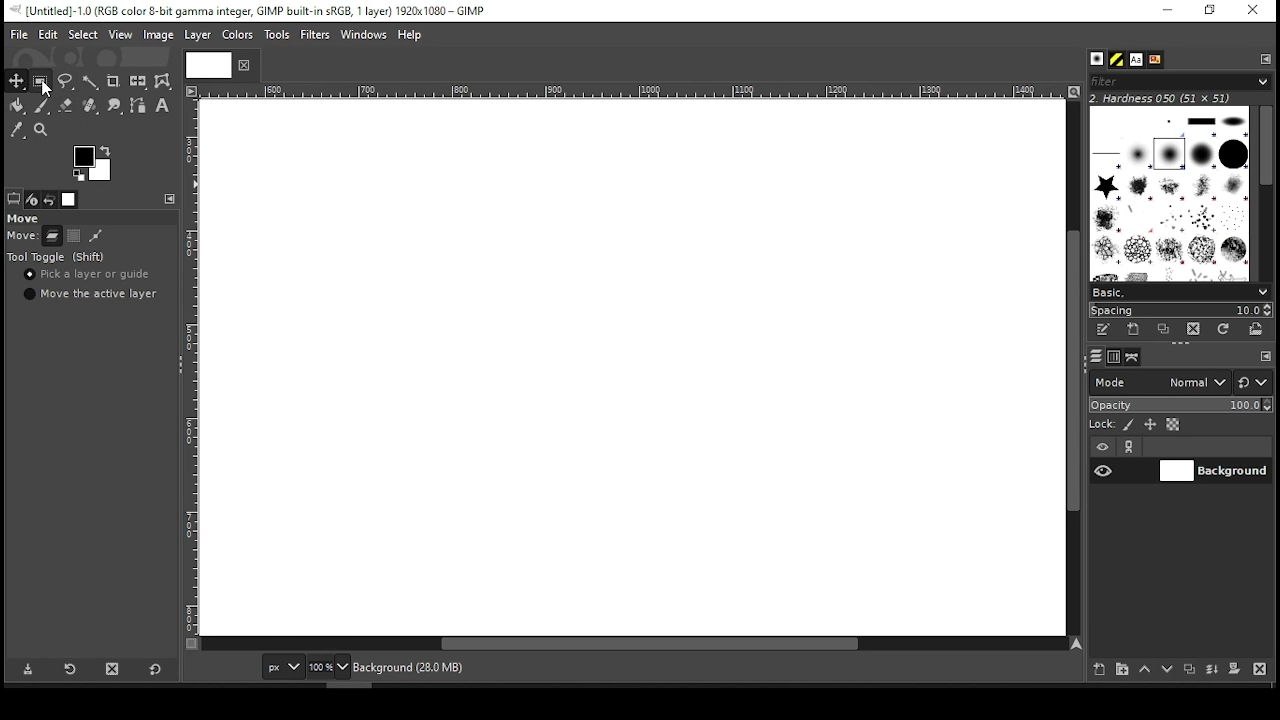 Image resolution: width=1280 pixels, height=720 pixels. What do you see at coordinates (1172, 425) in the screenshot?
I see `lock alpha channel` at bounding box center [1172, 425].